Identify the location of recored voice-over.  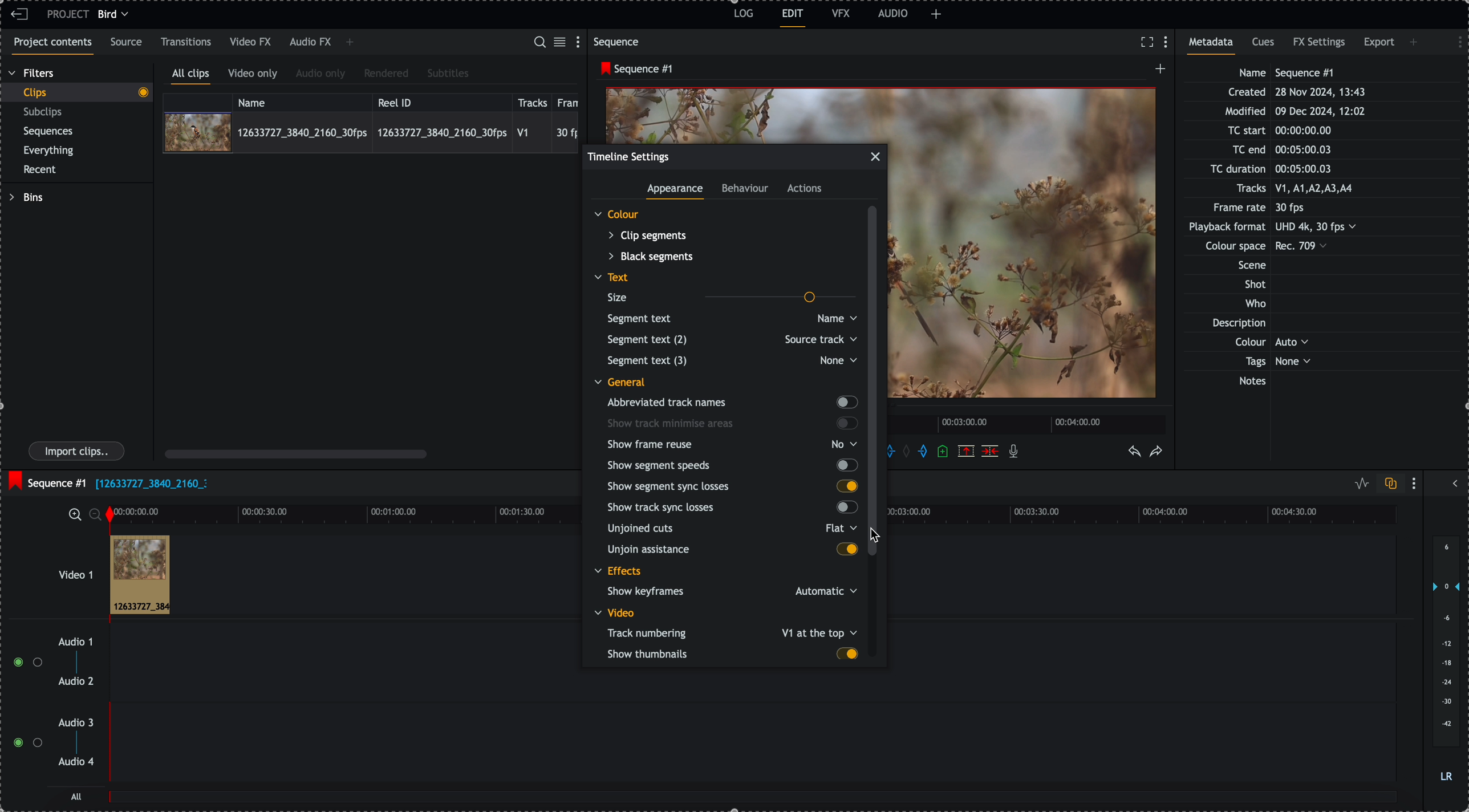
(1016, 452).